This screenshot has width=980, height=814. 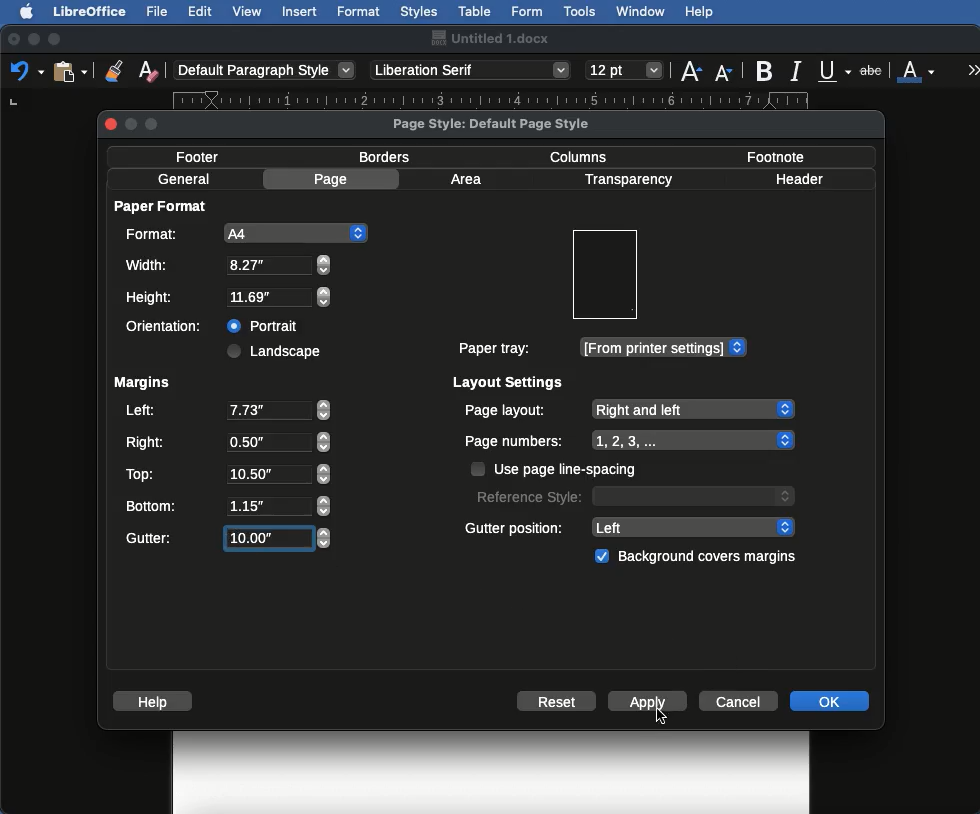 I want to click on OK, so click(x=829, y=700).